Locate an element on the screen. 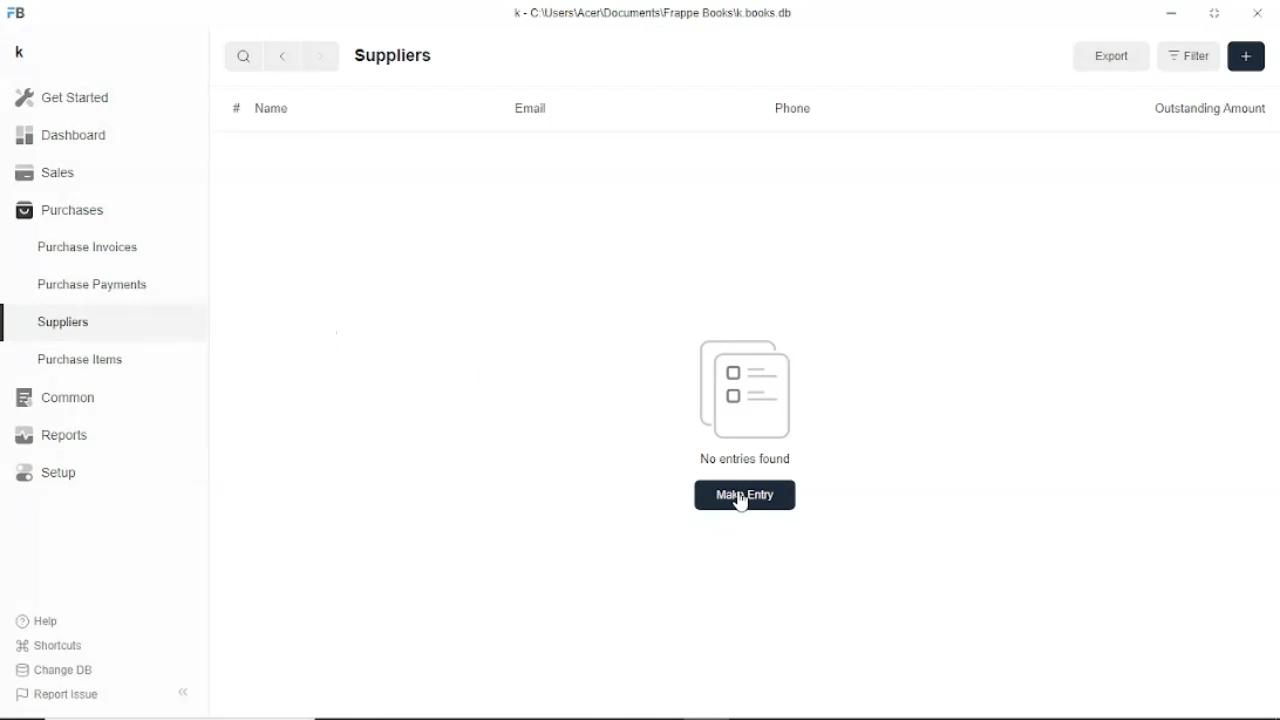 Image resolution: width=1280 pixels, height=720 pixels. Close is located at coordinates (1257, 13).